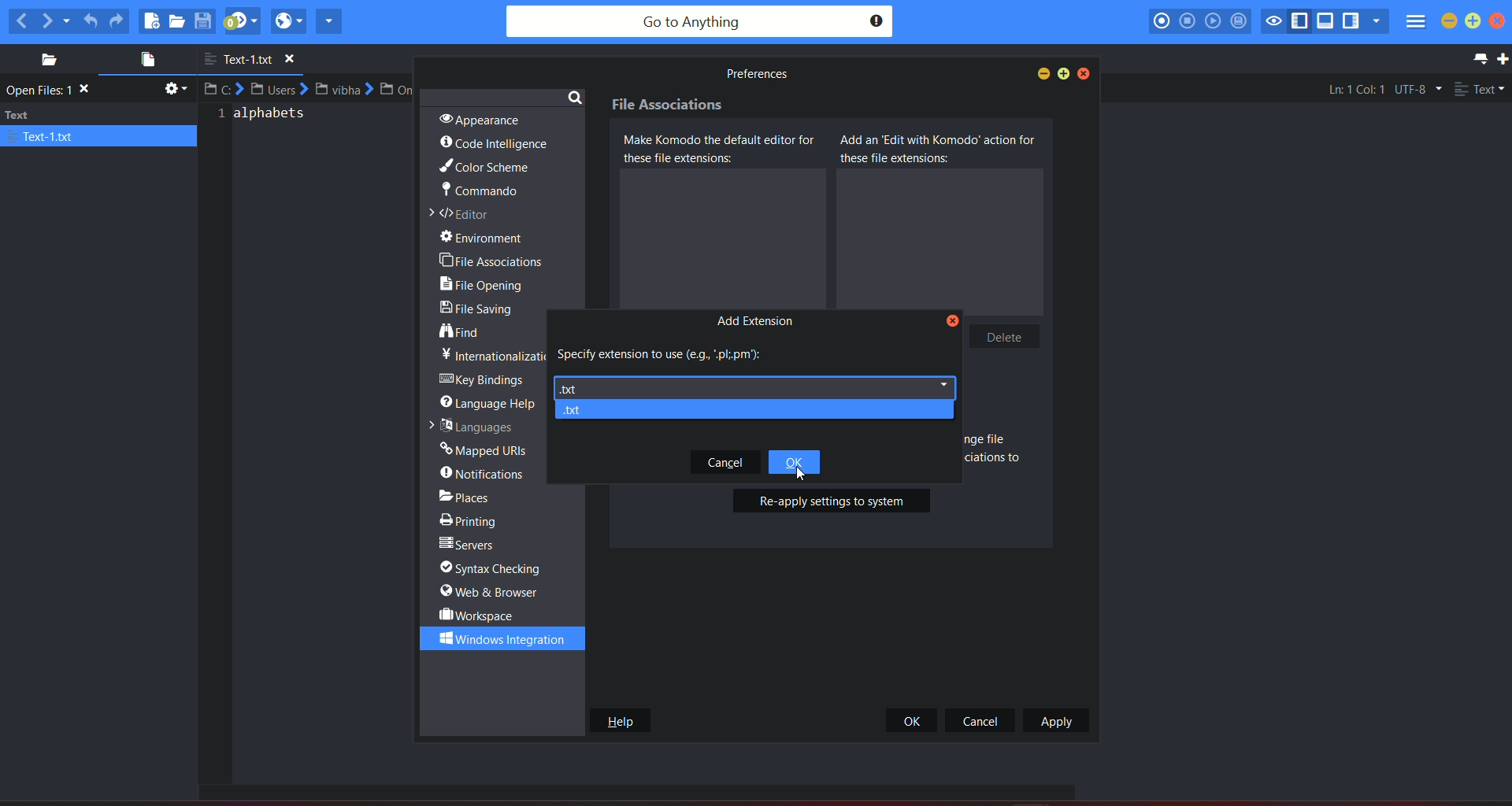 This screenshot has height=806, width=1512. Describe the element at coordinates (1007, 336) in the screenshot. I see `Delete` at that location.